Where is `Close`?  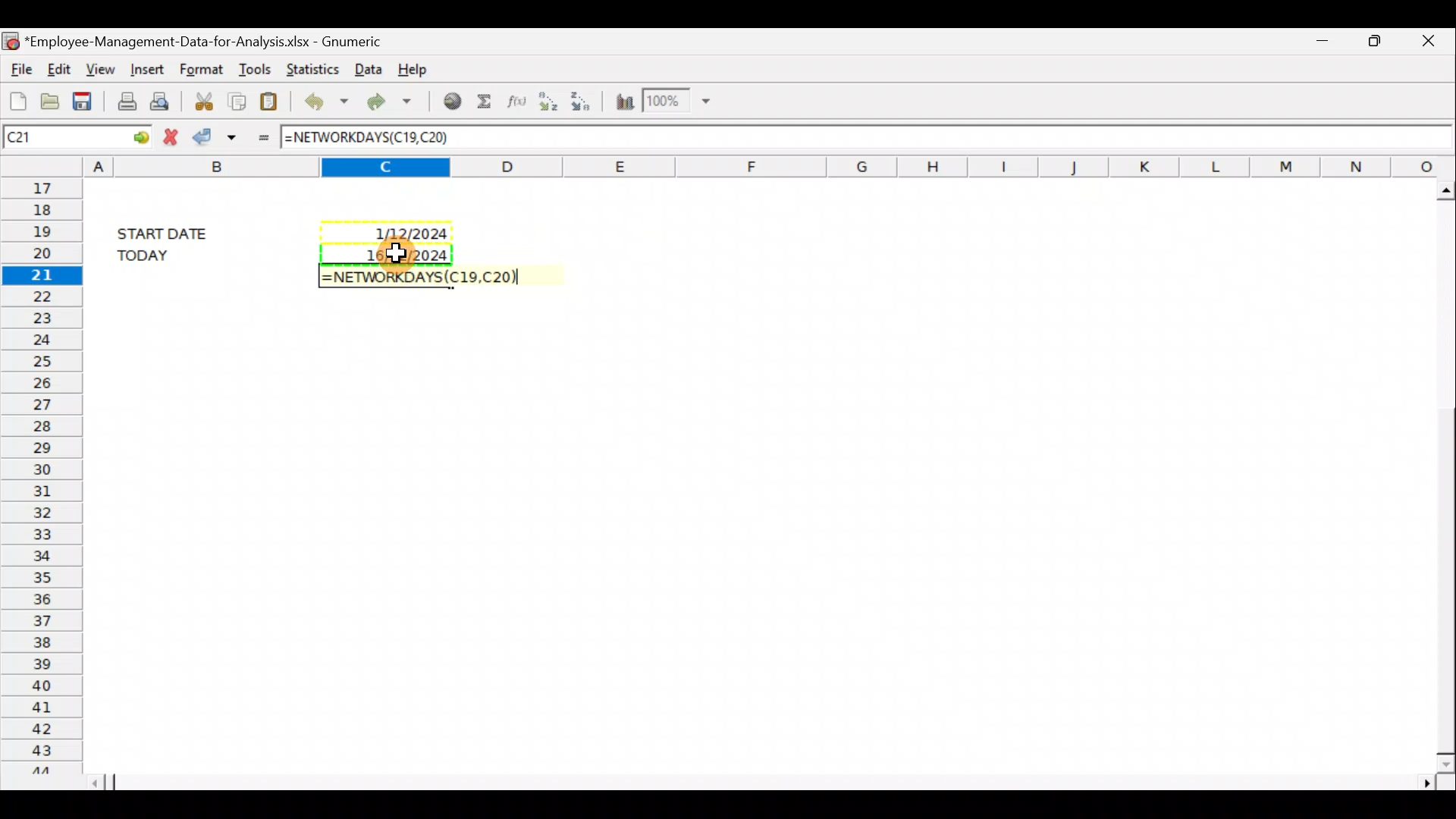
Close is located at coordinates (1425, 42).